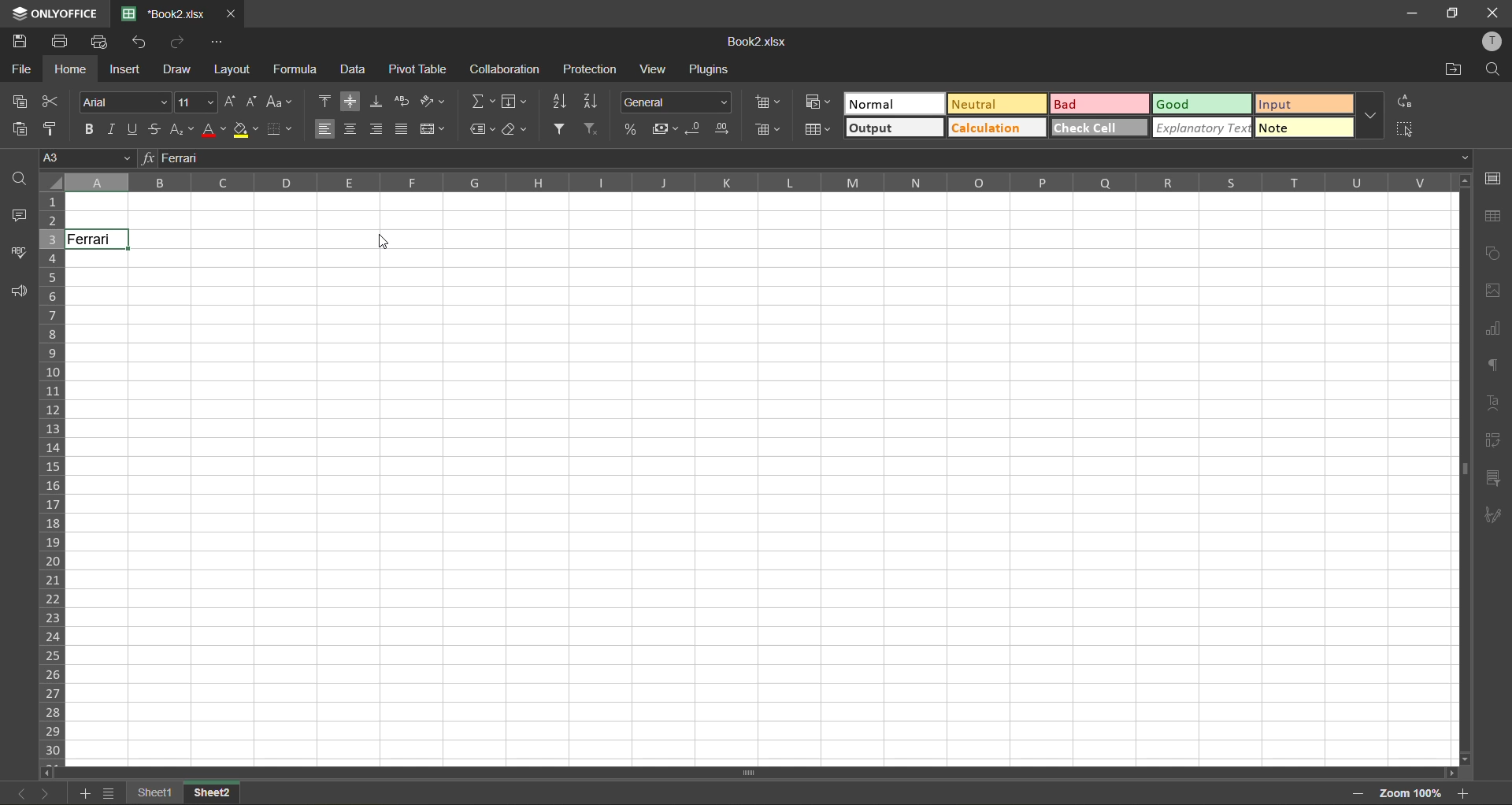 This screenshot has width=1512, height=805. What do you see at coordinates (155, 792) in the screenshot?
I see `sheet names` at bounding box center [155, 792].